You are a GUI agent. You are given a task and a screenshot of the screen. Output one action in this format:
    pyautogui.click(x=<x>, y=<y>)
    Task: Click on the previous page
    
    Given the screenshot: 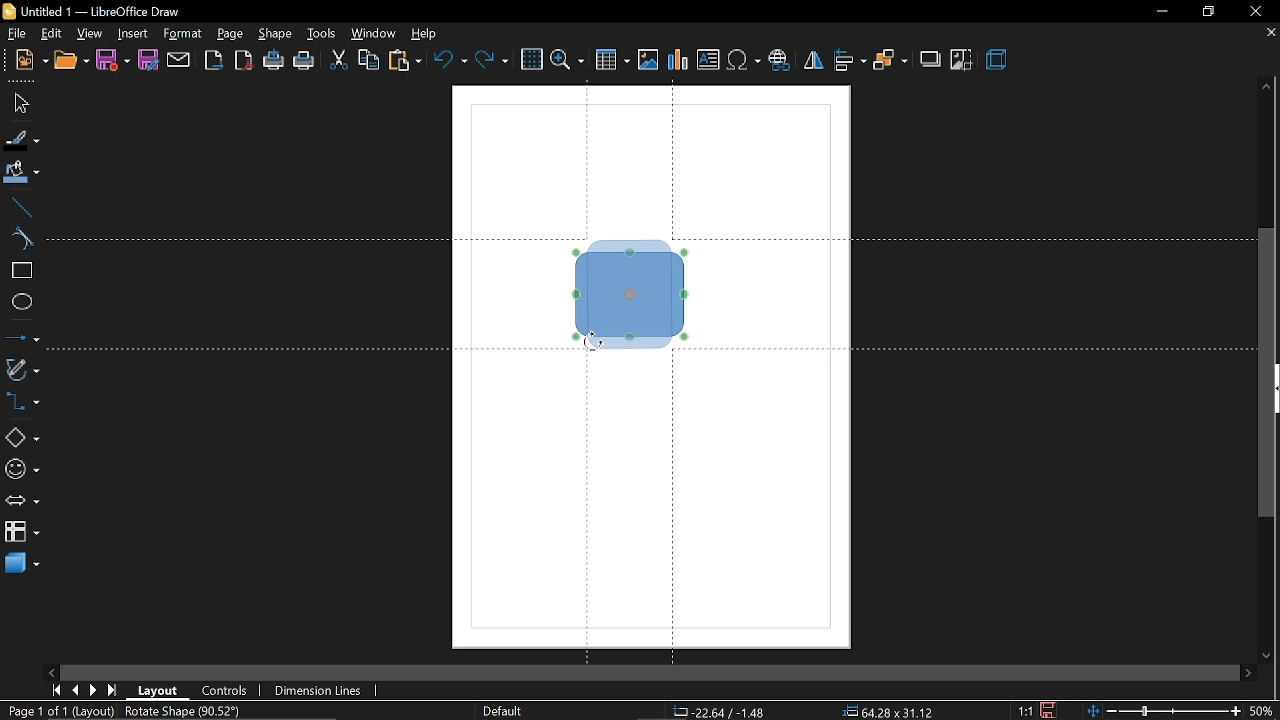 What is the action you would take?
    pyautogui.click(x=73, y=691)
    